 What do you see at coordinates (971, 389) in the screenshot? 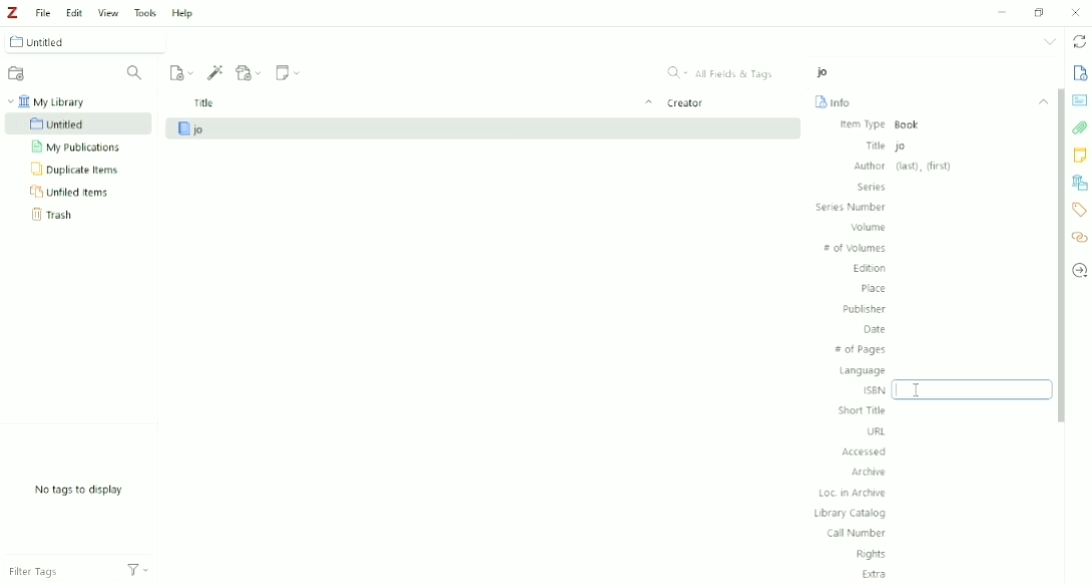
I see `ISB Input` at bounding box center [971, 389].